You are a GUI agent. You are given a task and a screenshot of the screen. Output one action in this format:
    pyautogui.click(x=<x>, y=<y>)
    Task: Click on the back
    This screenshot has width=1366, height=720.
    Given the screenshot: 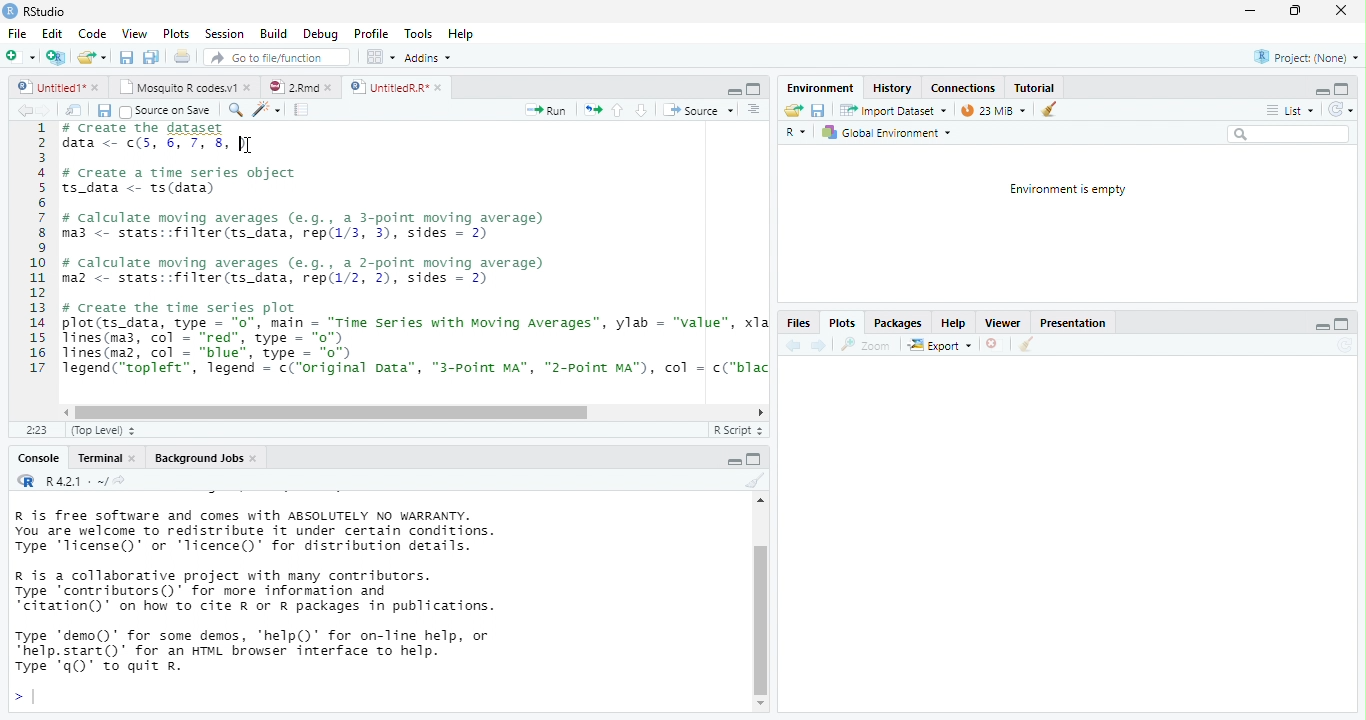 What is the action you would take?
    pyautogui.click(x=24, y=110)
    